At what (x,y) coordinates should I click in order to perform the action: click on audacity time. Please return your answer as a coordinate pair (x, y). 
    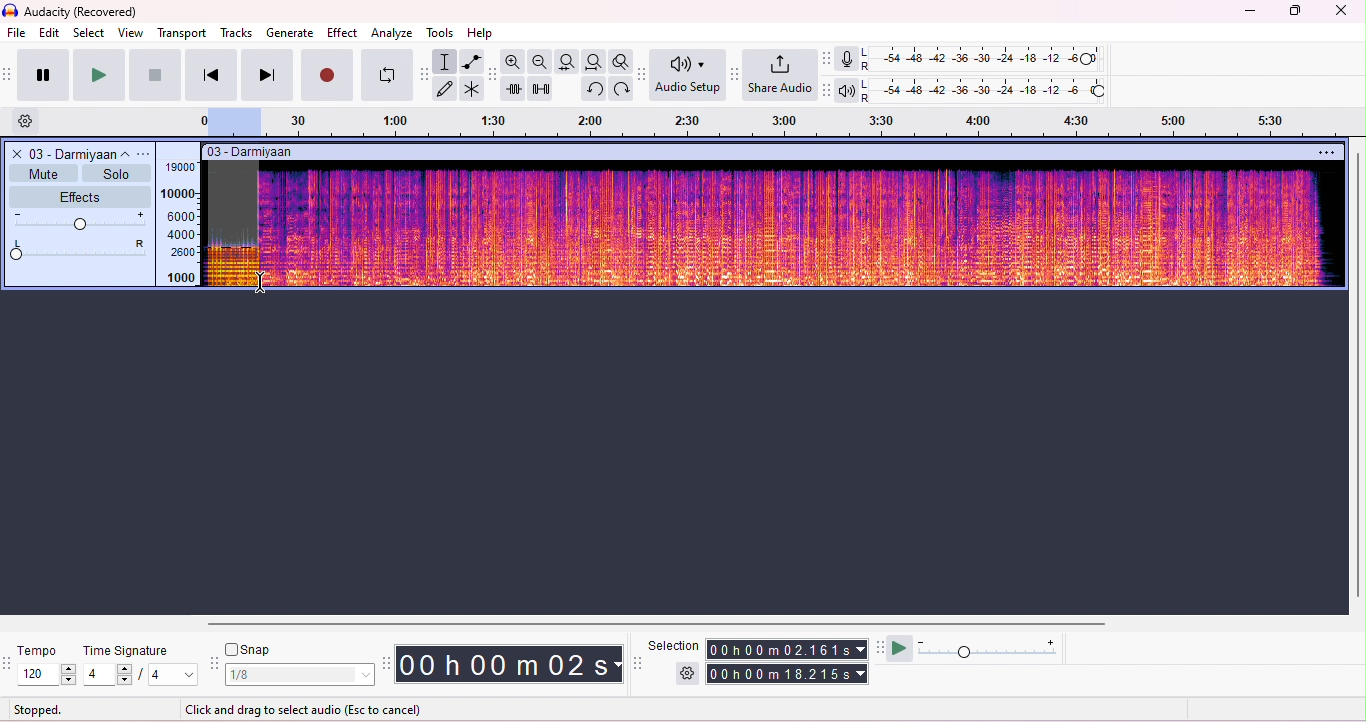
    Looking at the image, I should click on (511, 663).